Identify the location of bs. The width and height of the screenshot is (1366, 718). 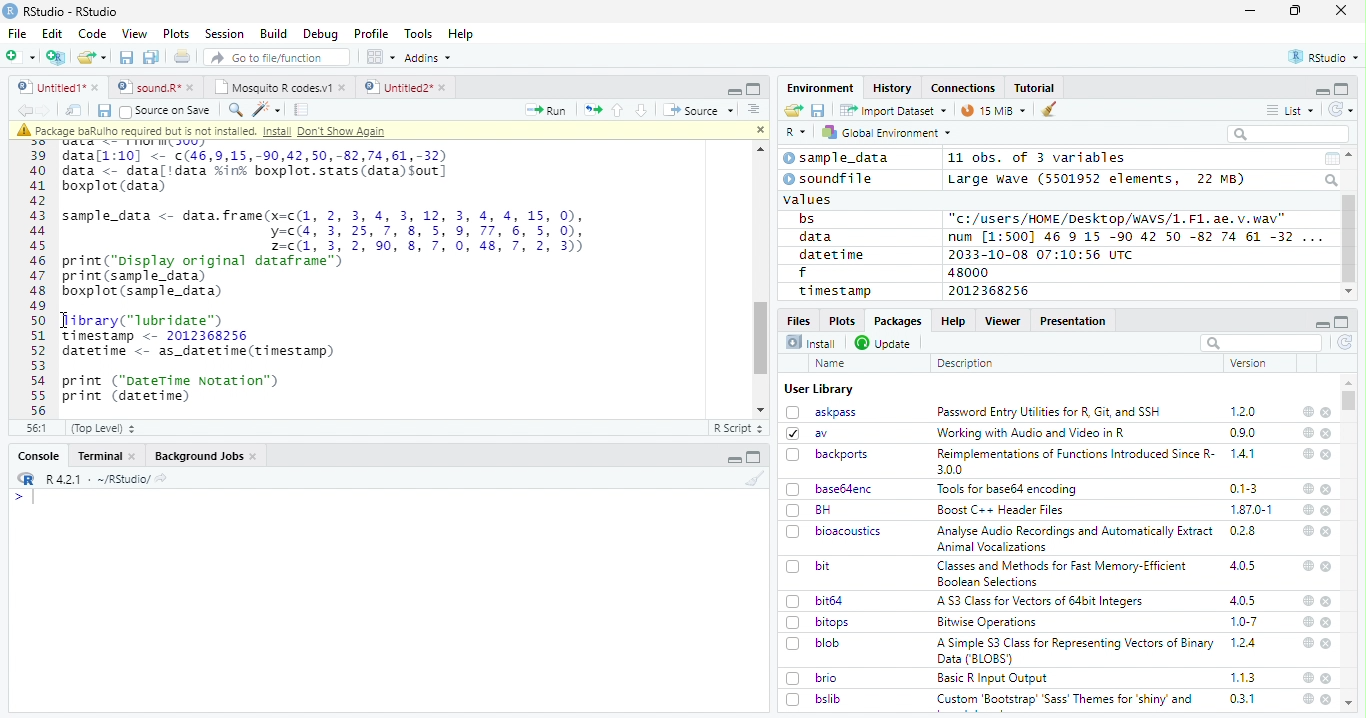
(807, 219).